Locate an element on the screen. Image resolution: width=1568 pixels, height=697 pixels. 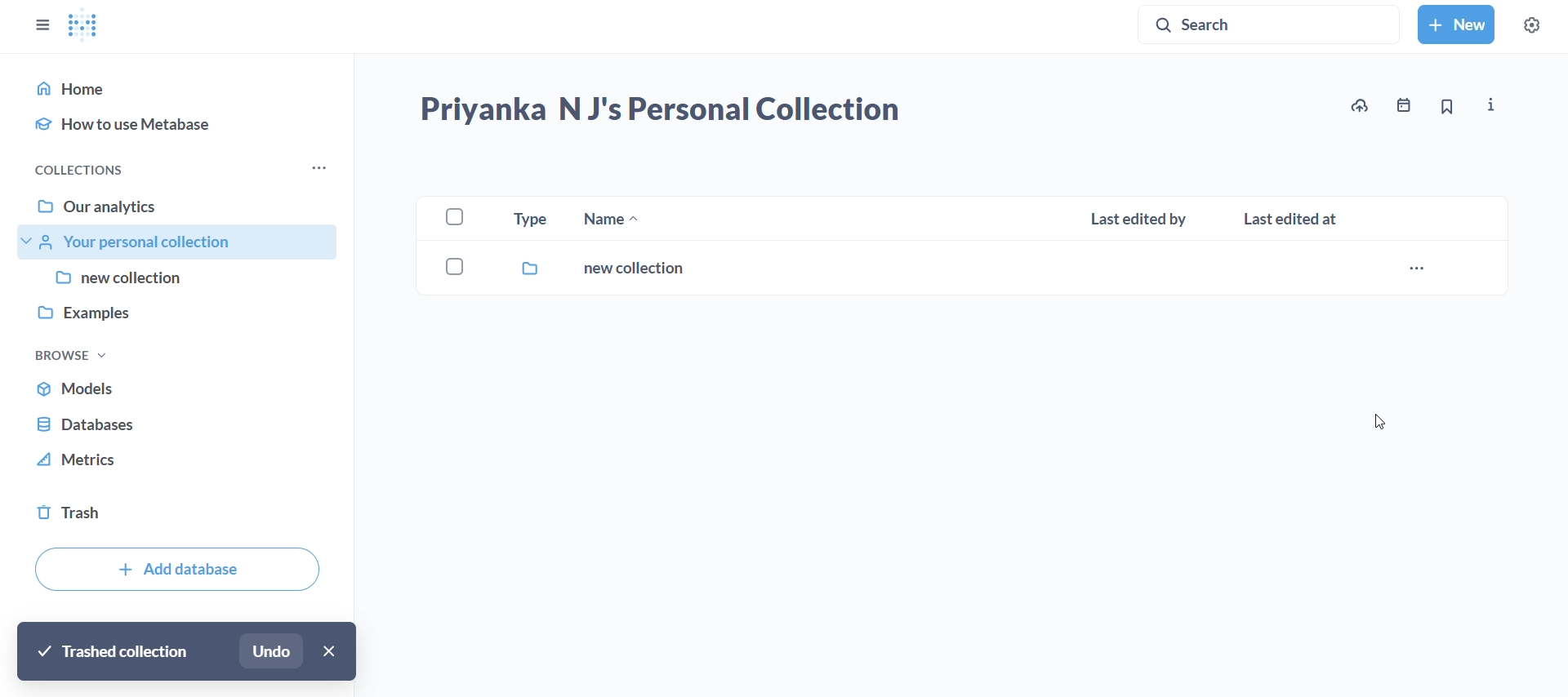
New collections is located at coordinates (182, 280).